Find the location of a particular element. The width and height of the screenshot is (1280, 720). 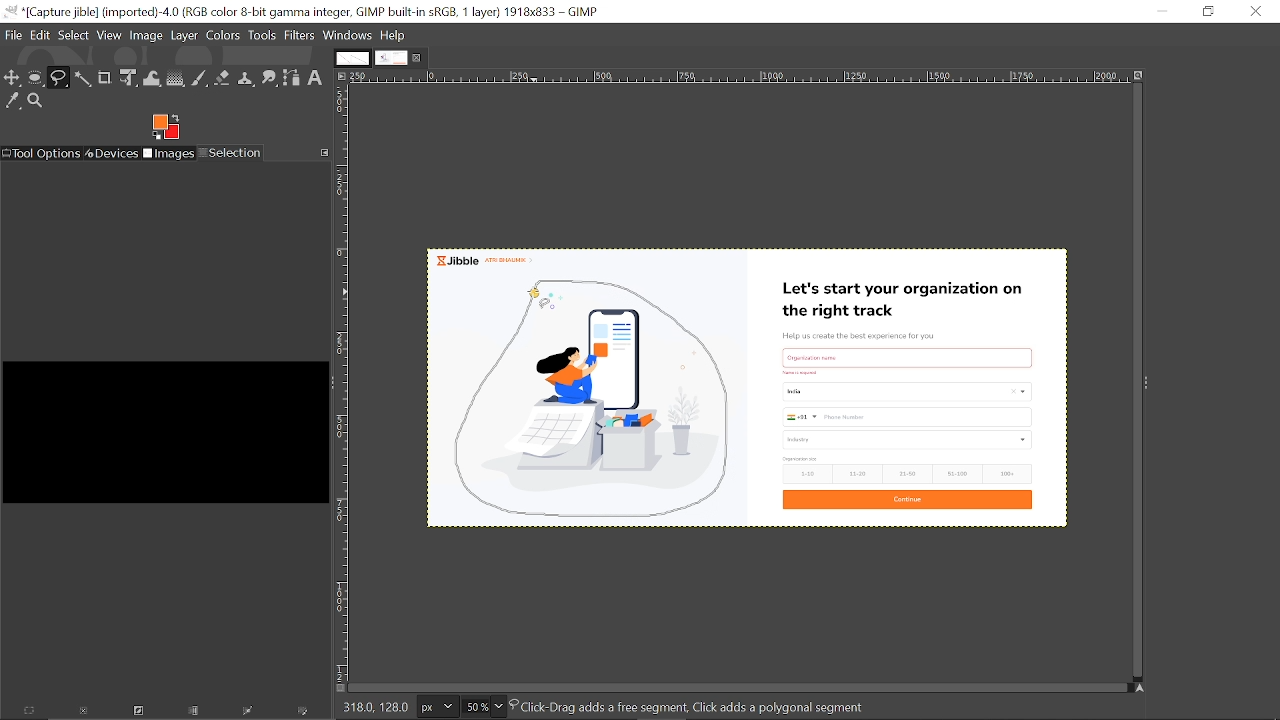

Gradient is located at coordinates (175, 79).